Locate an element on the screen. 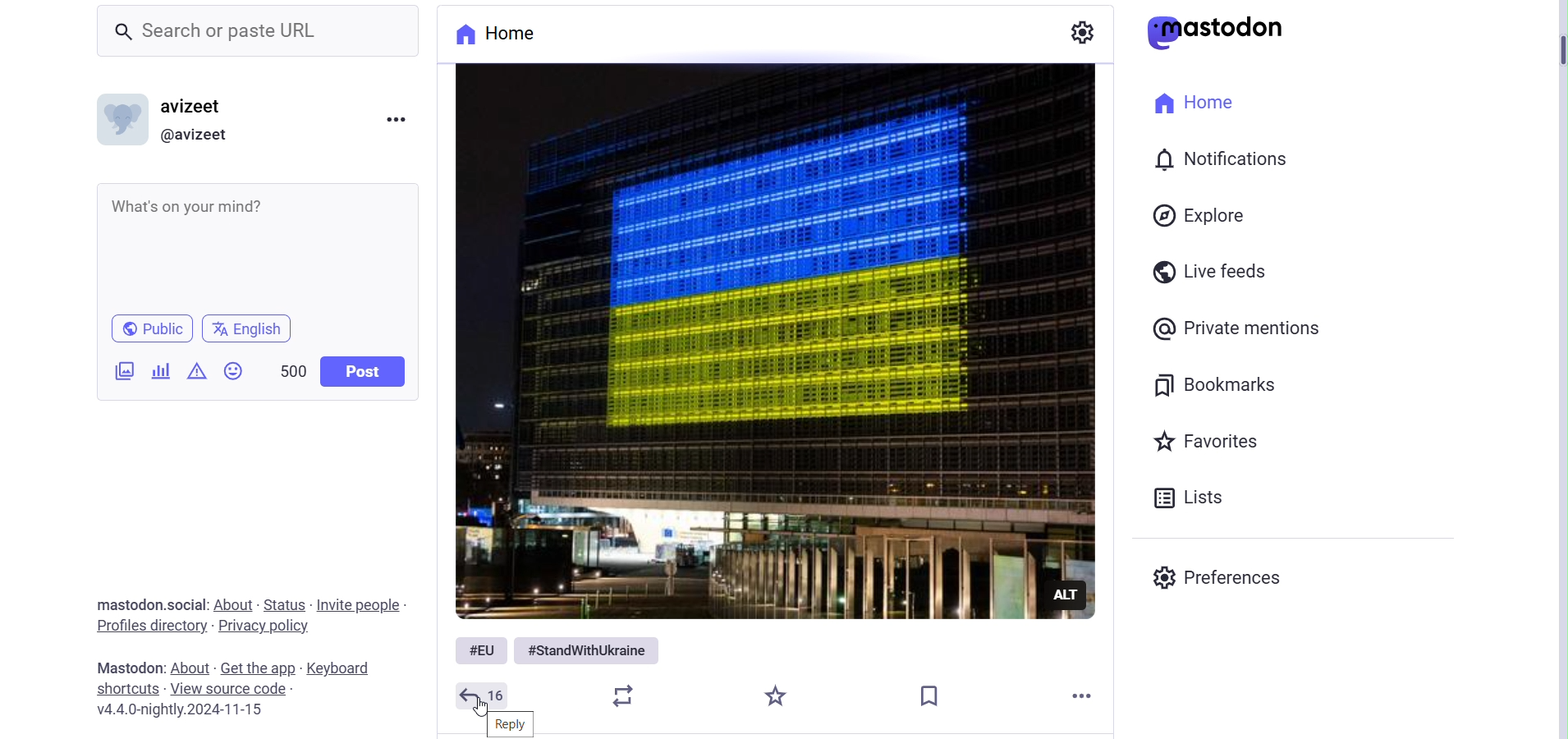 This screenshot has width=1568, height=739. Content Warning is located at coordinates (196, 372).